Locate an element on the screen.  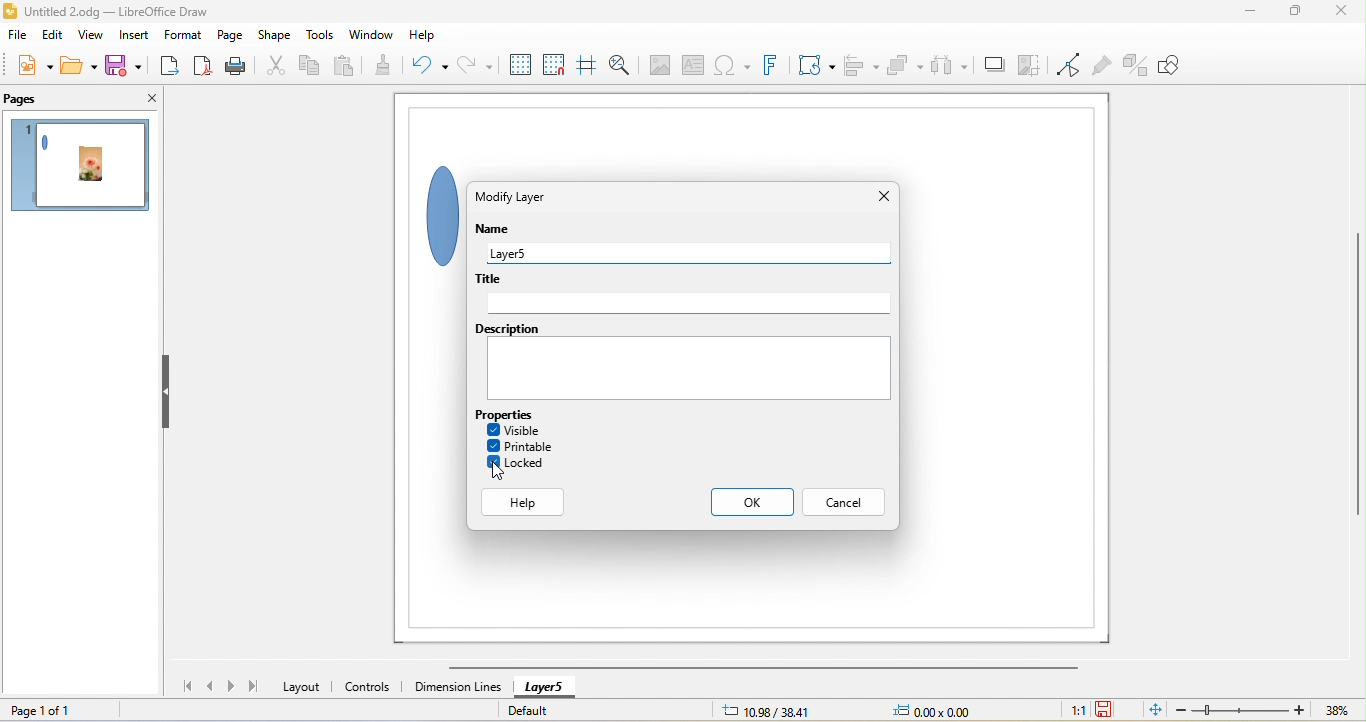
horizontal scroll bar is located at coordinates (763, 667).